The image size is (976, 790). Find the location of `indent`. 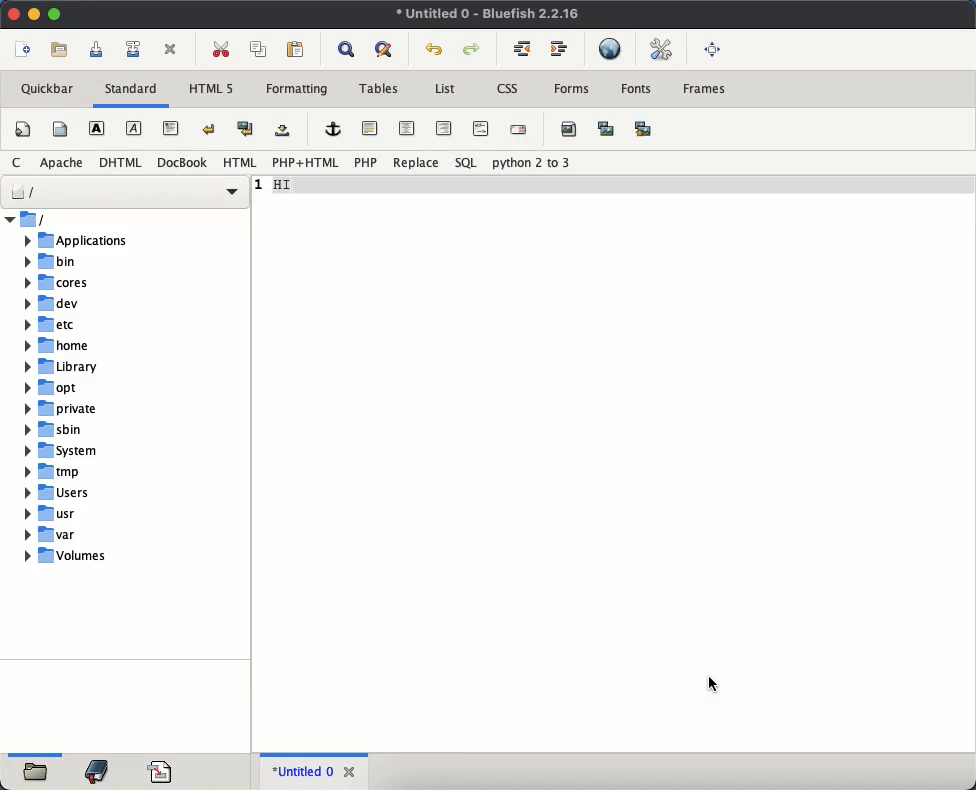

indent is located at coordinates (561, 50).